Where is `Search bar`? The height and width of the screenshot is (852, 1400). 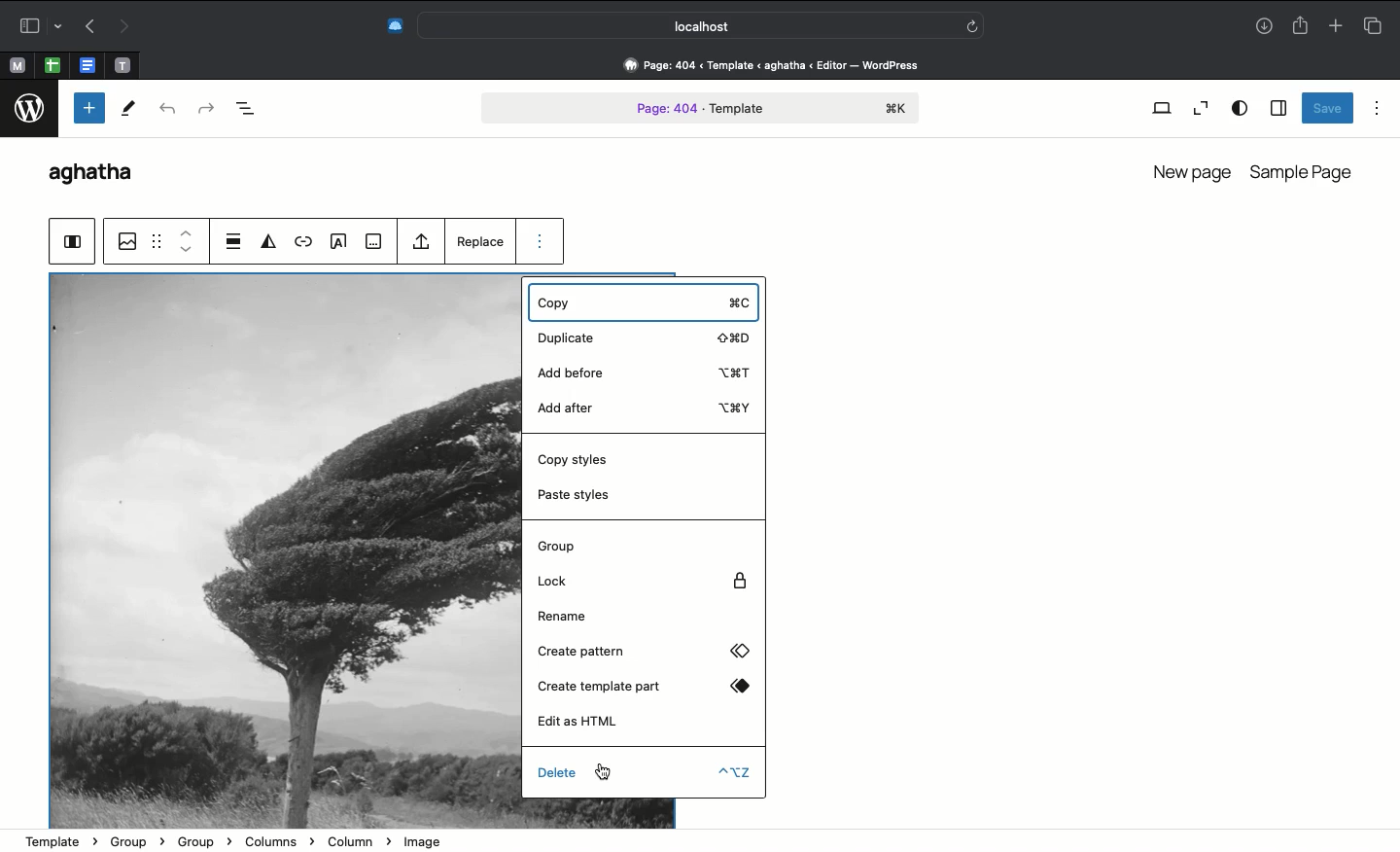
Search bar is located at coordinates (703, 24).